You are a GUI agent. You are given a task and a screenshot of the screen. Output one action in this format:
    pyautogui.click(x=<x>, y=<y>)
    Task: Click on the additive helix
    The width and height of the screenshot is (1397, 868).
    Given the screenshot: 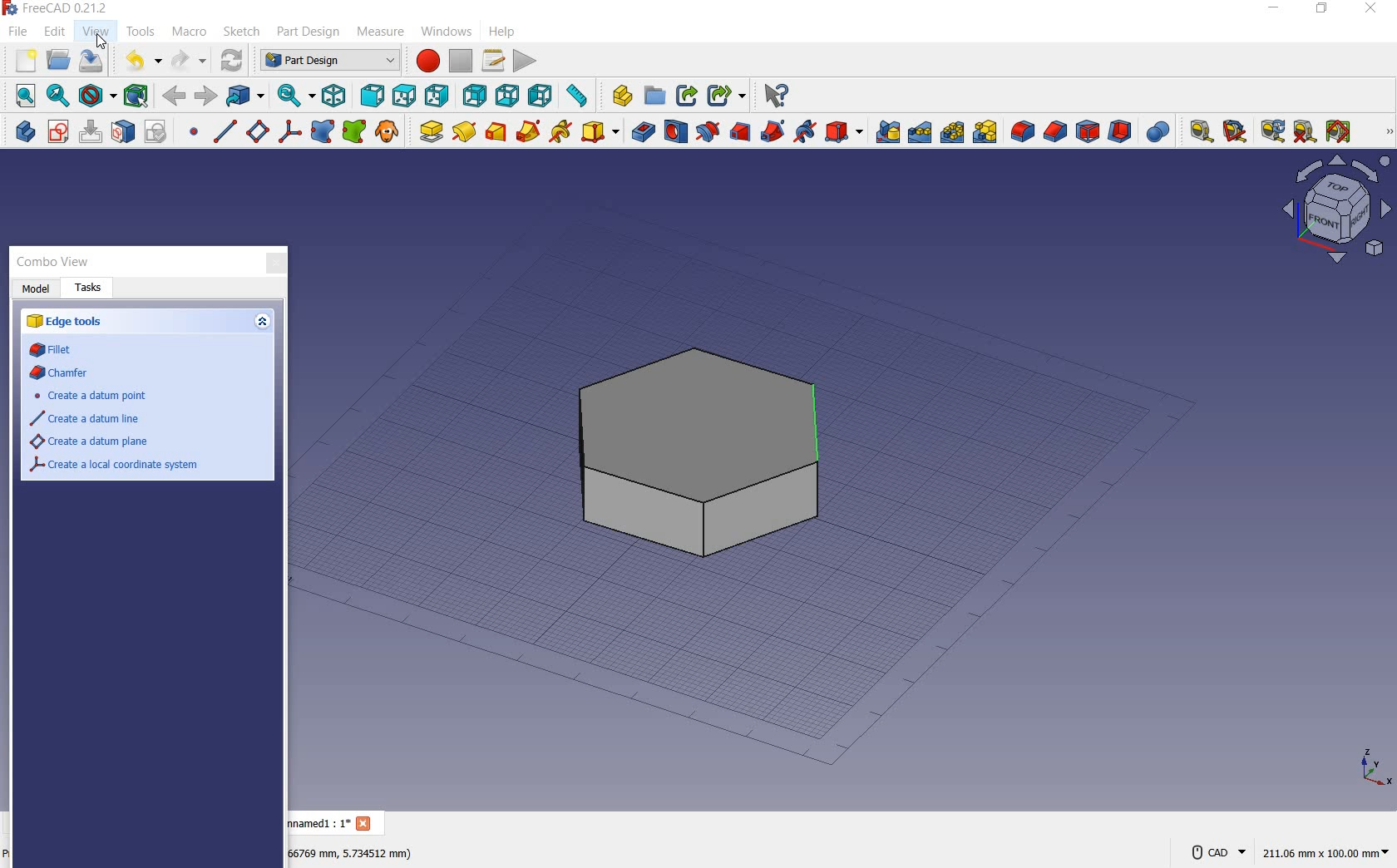 What is the action you would take?
    pyautogui.click(x=561, y=131)
    